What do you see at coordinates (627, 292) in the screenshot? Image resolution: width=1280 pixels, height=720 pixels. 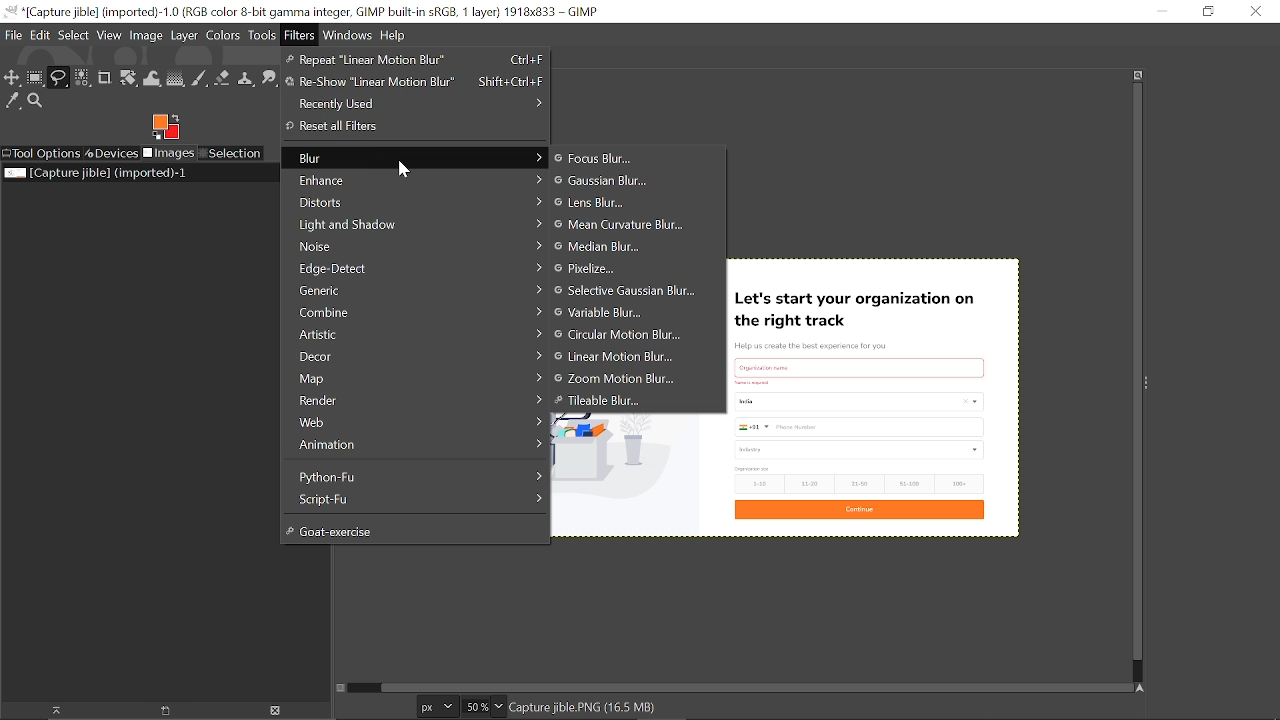 I see `Selective gaussian blur` at bounding box center [627, 292].